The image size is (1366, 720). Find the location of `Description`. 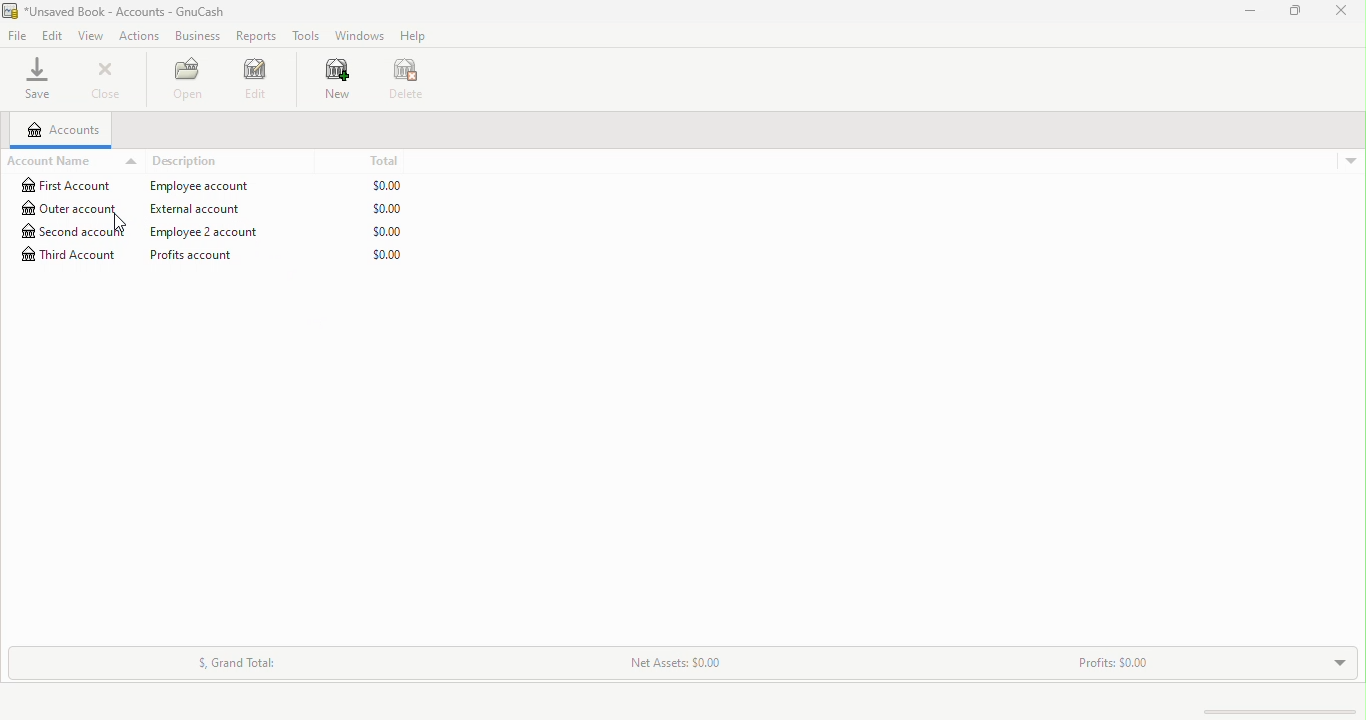

Description is located at coordinates (189, 162).